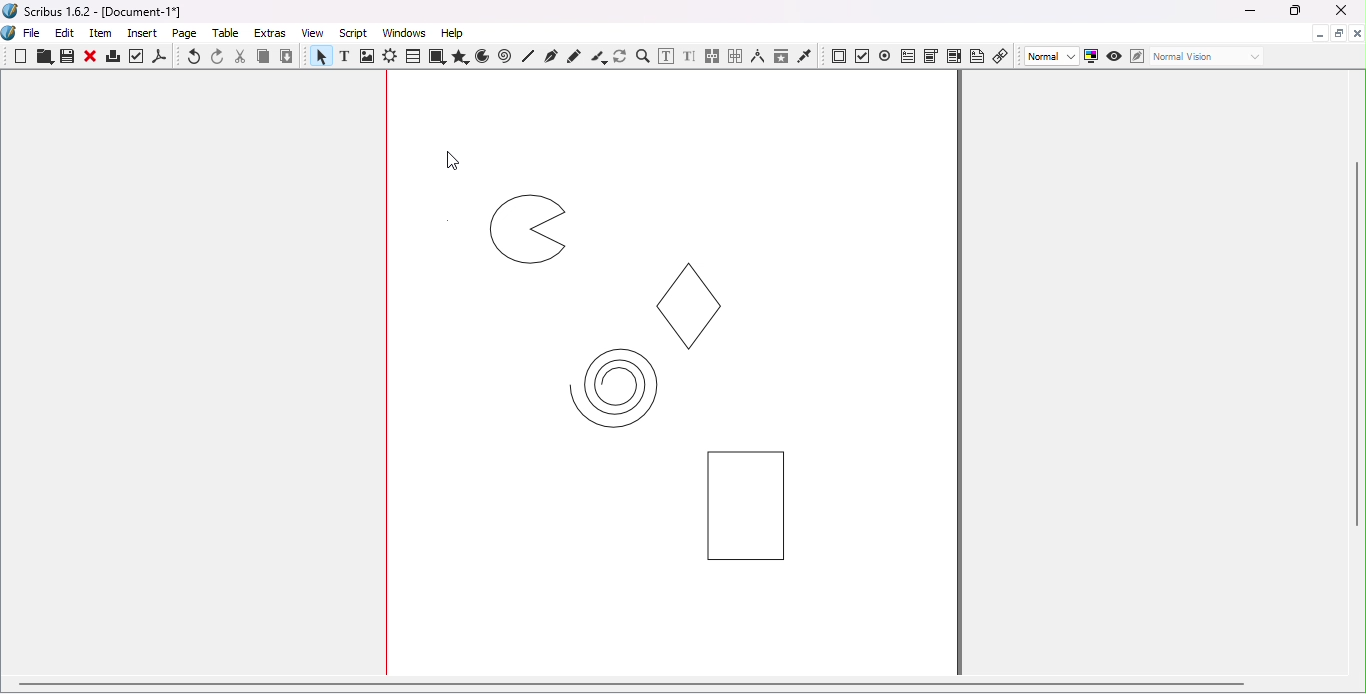  I want to click on Vertical scroll bar, so click(1358, 375).